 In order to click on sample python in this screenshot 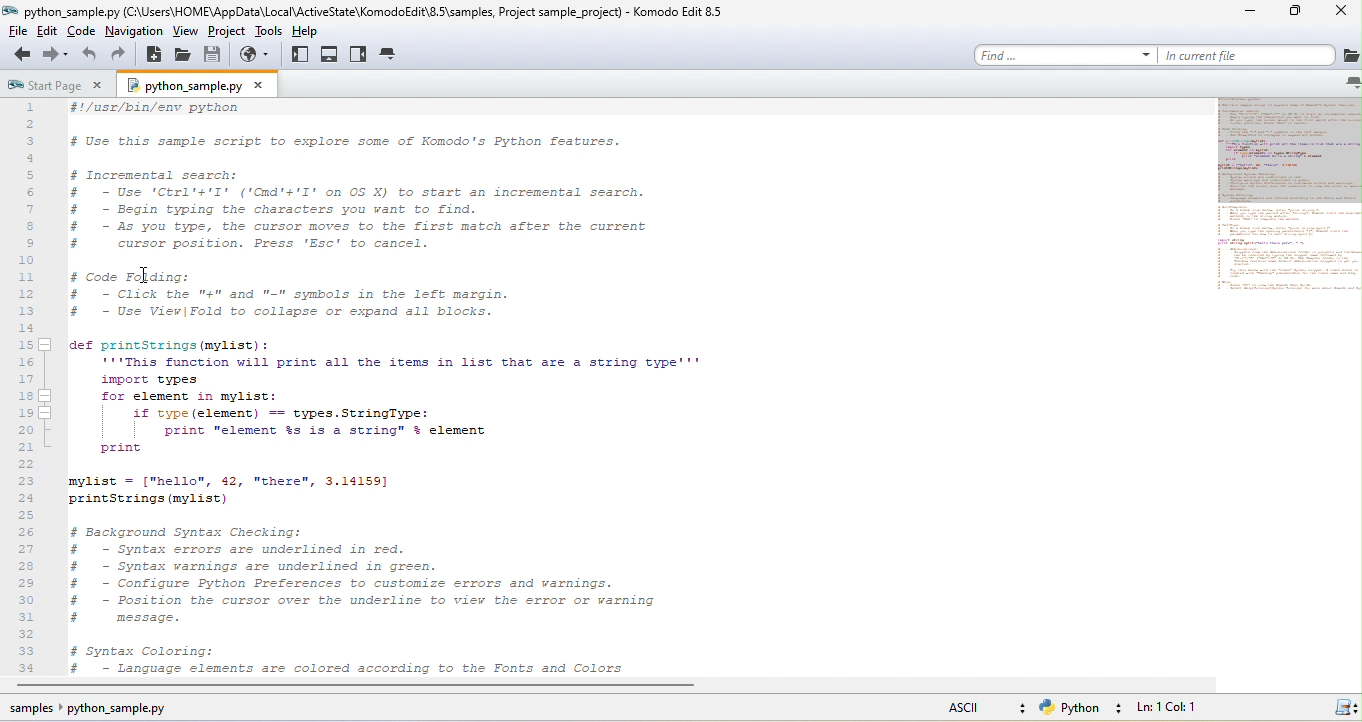, I will do `click(86, 711)`.